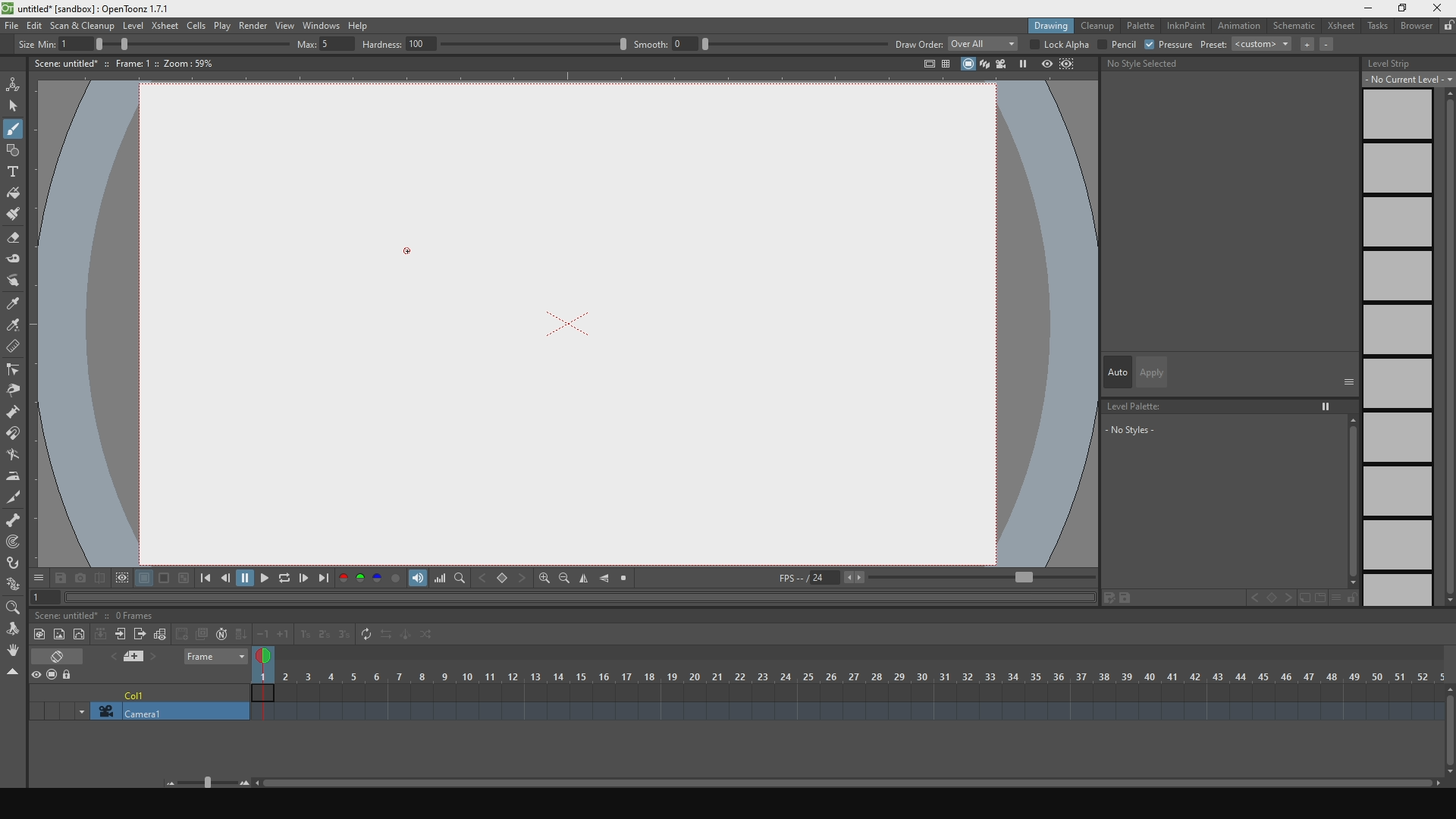 The width and height of the screenshot is (1456, 819). What do you see at coordinates (1342, 27) in the screenshot?
I see `xsheet` at bounding box center [1342, 27].